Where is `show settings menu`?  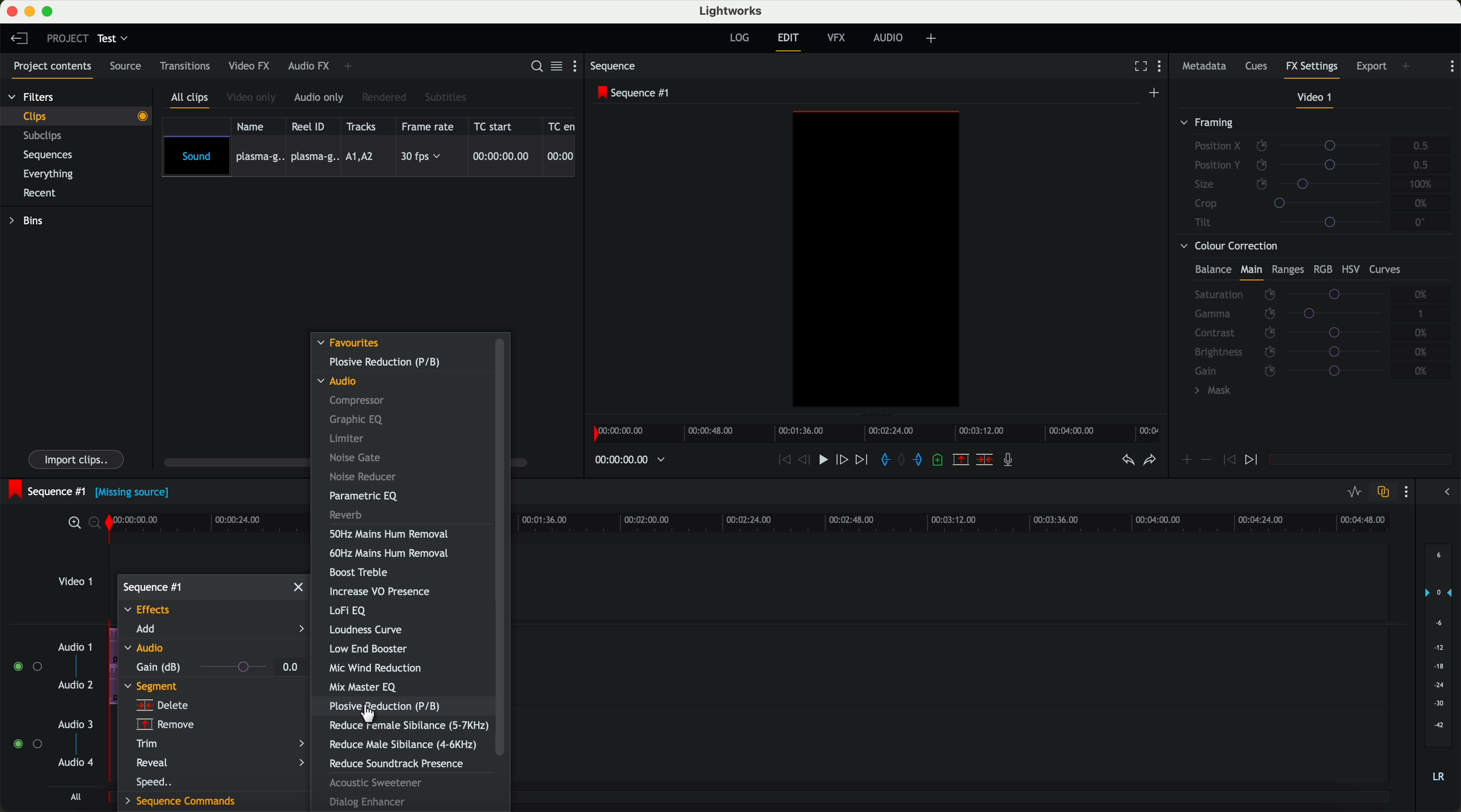
show settings menu is located at coordinates (1452, 66).